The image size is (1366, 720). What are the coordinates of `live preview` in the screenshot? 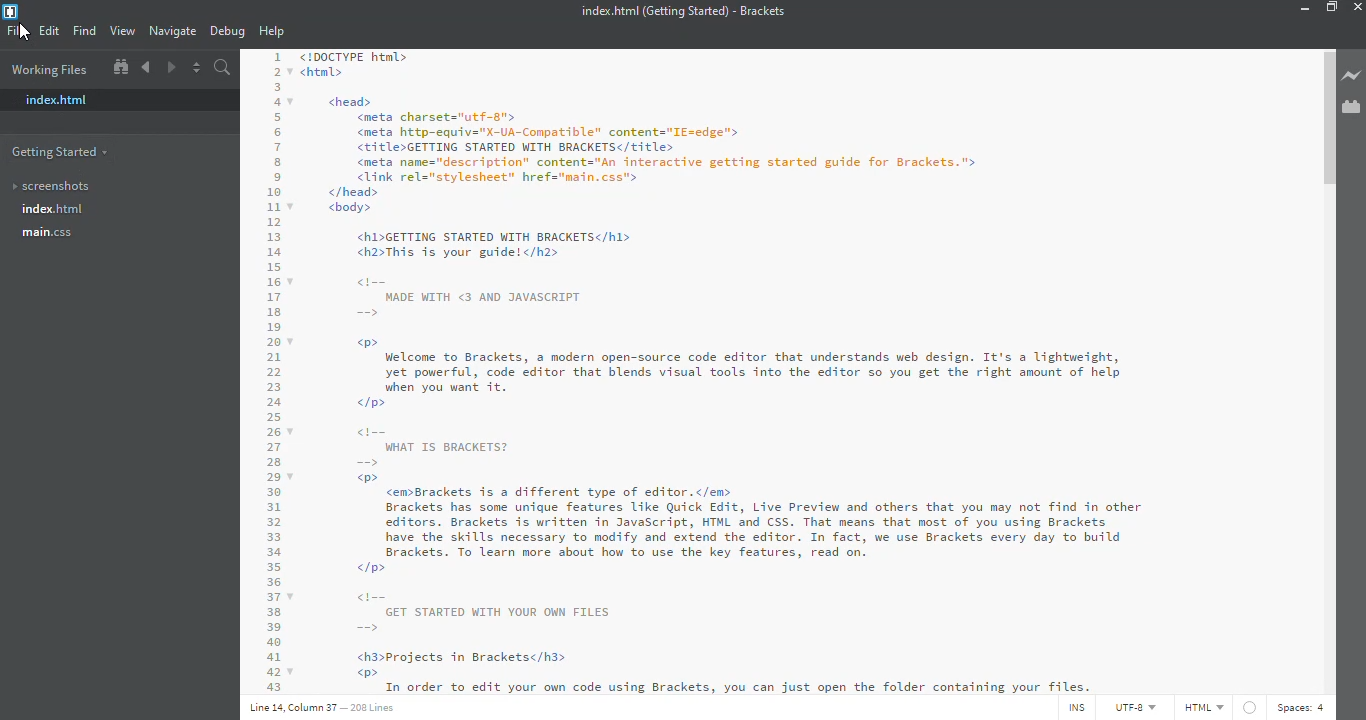 It's located at (1352, 74).